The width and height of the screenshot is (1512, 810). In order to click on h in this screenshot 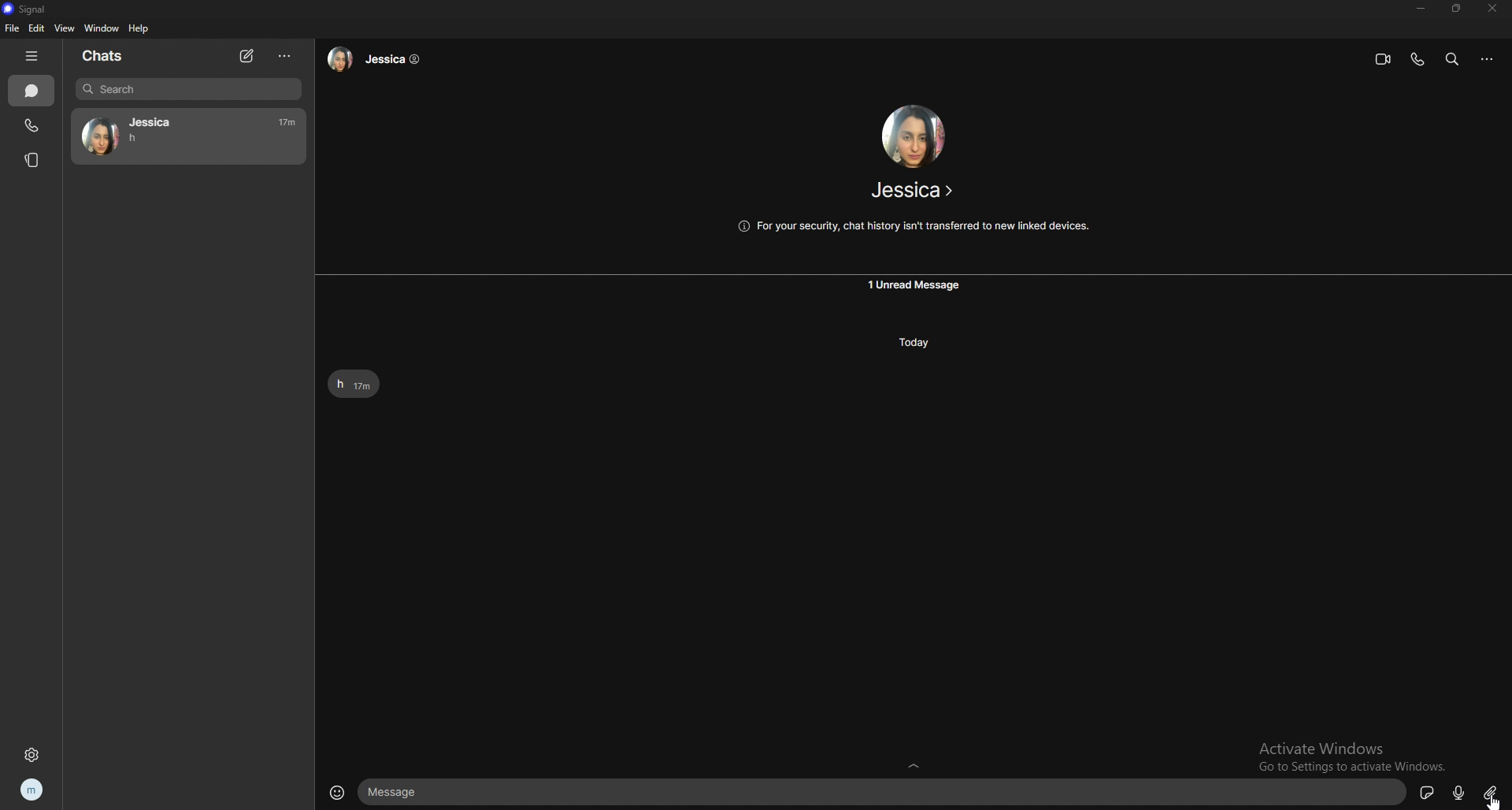, I will do `click(339, 385)`.